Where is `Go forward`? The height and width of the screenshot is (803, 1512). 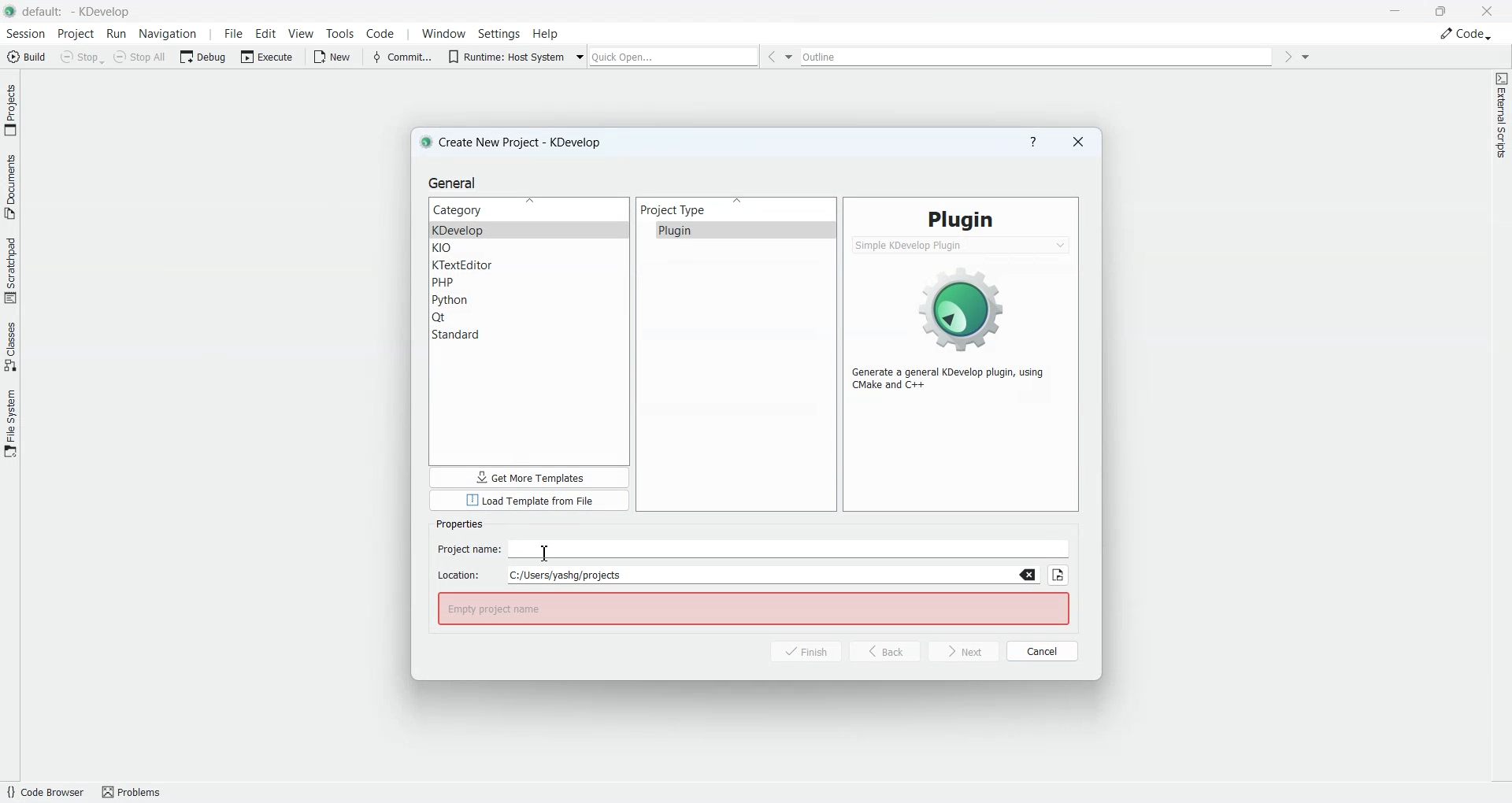 Go forward is located at coordinates (1288, 57).